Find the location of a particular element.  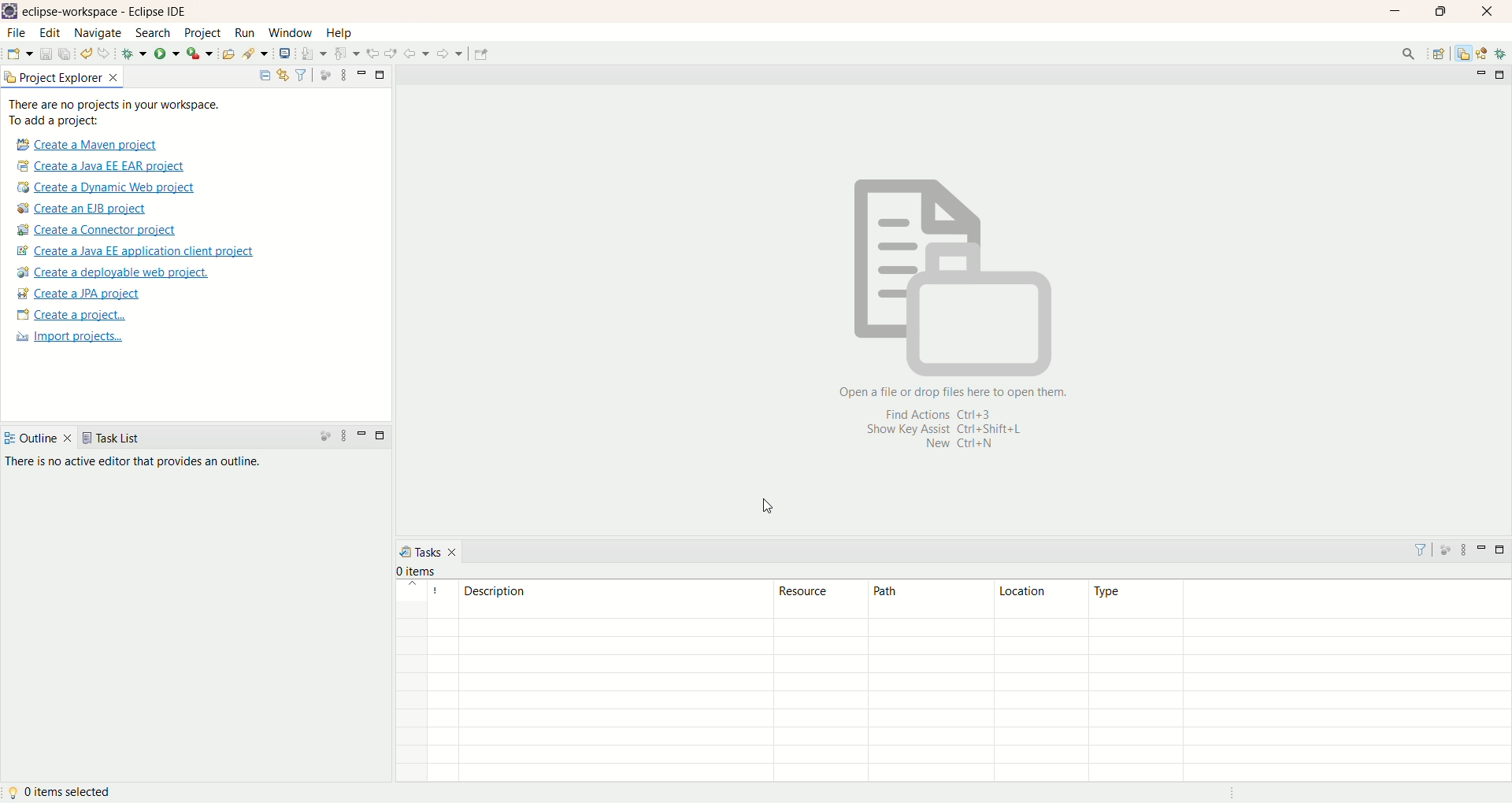

edit is located at coordinates (48, 34).